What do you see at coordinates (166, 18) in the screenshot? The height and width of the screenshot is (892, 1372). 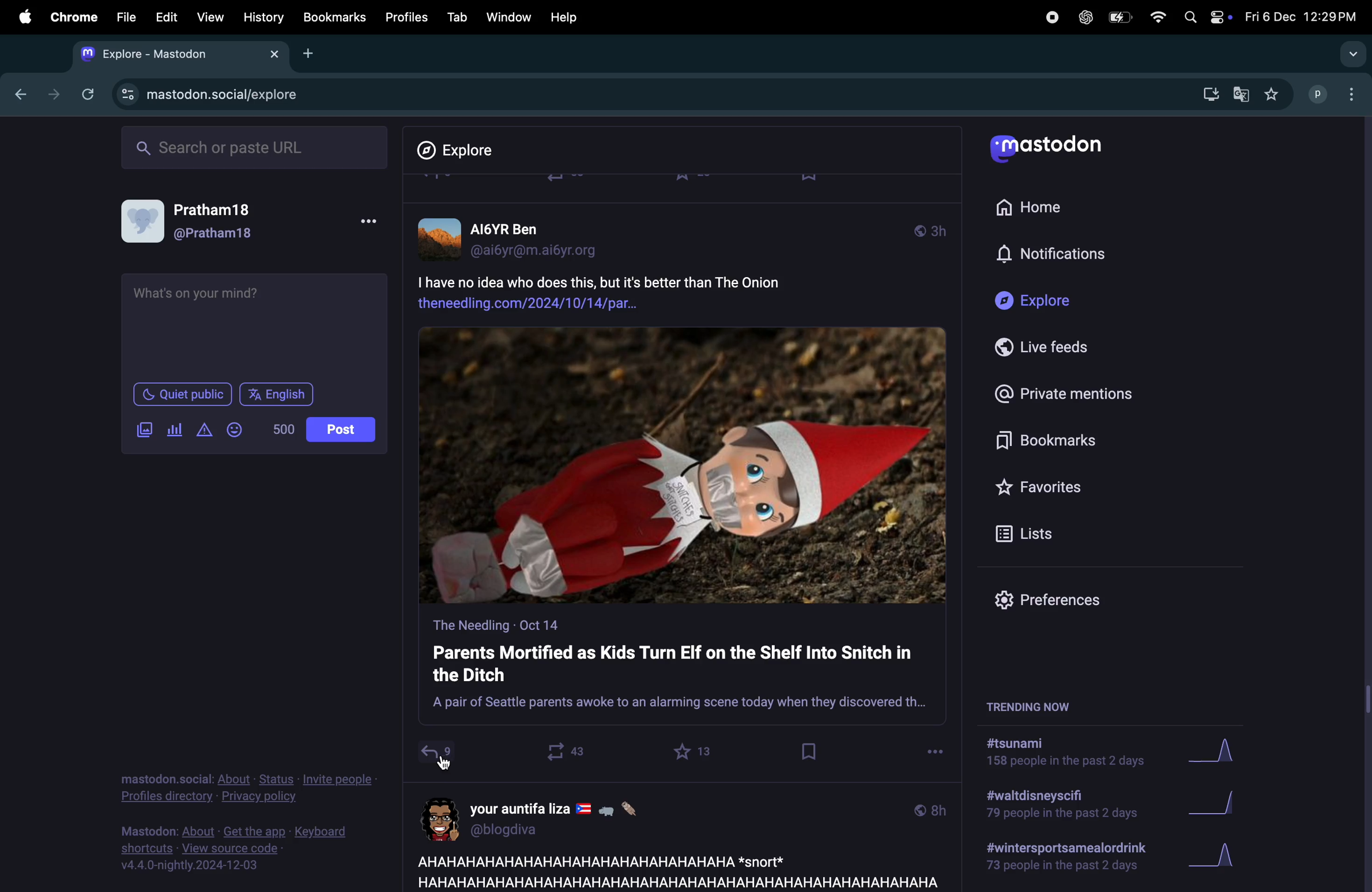 I see `edit` at bounding box center [166, 18].